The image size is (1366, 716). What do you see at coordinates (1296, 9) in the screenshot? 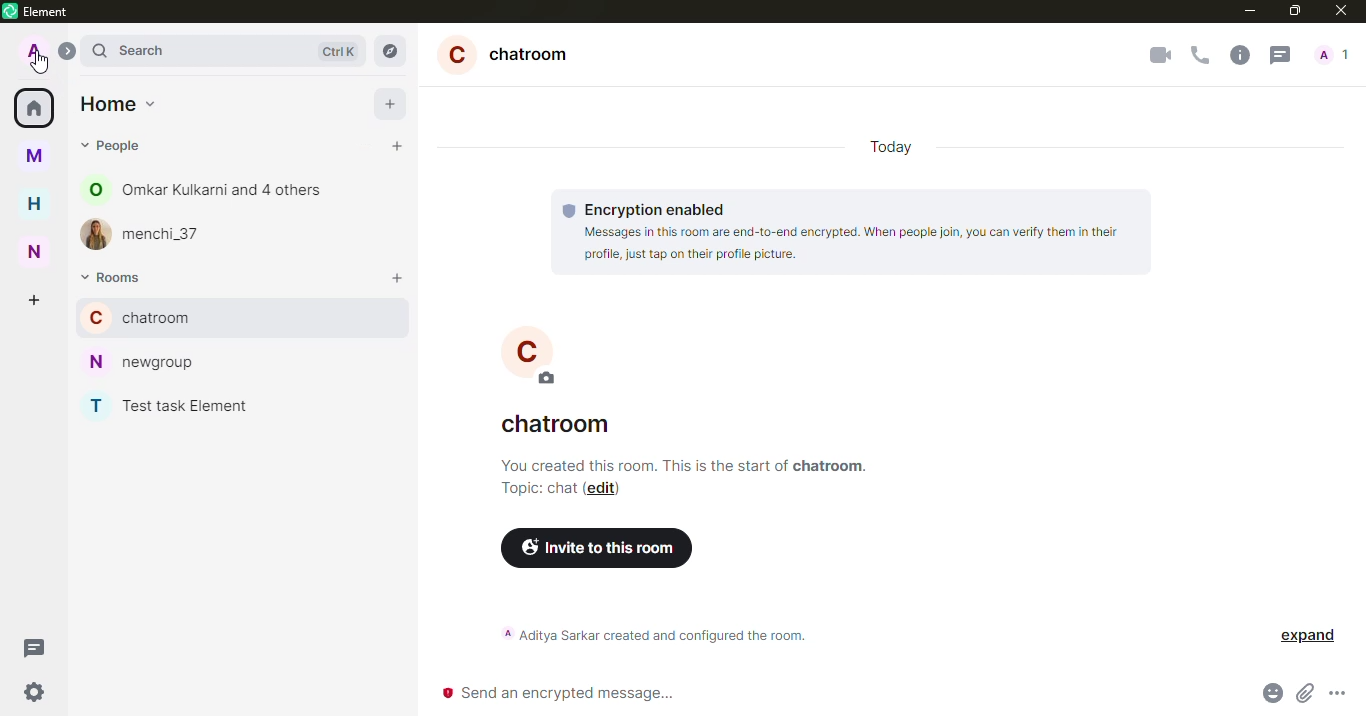
I see `maximize` at bounding box center [1296, 9].